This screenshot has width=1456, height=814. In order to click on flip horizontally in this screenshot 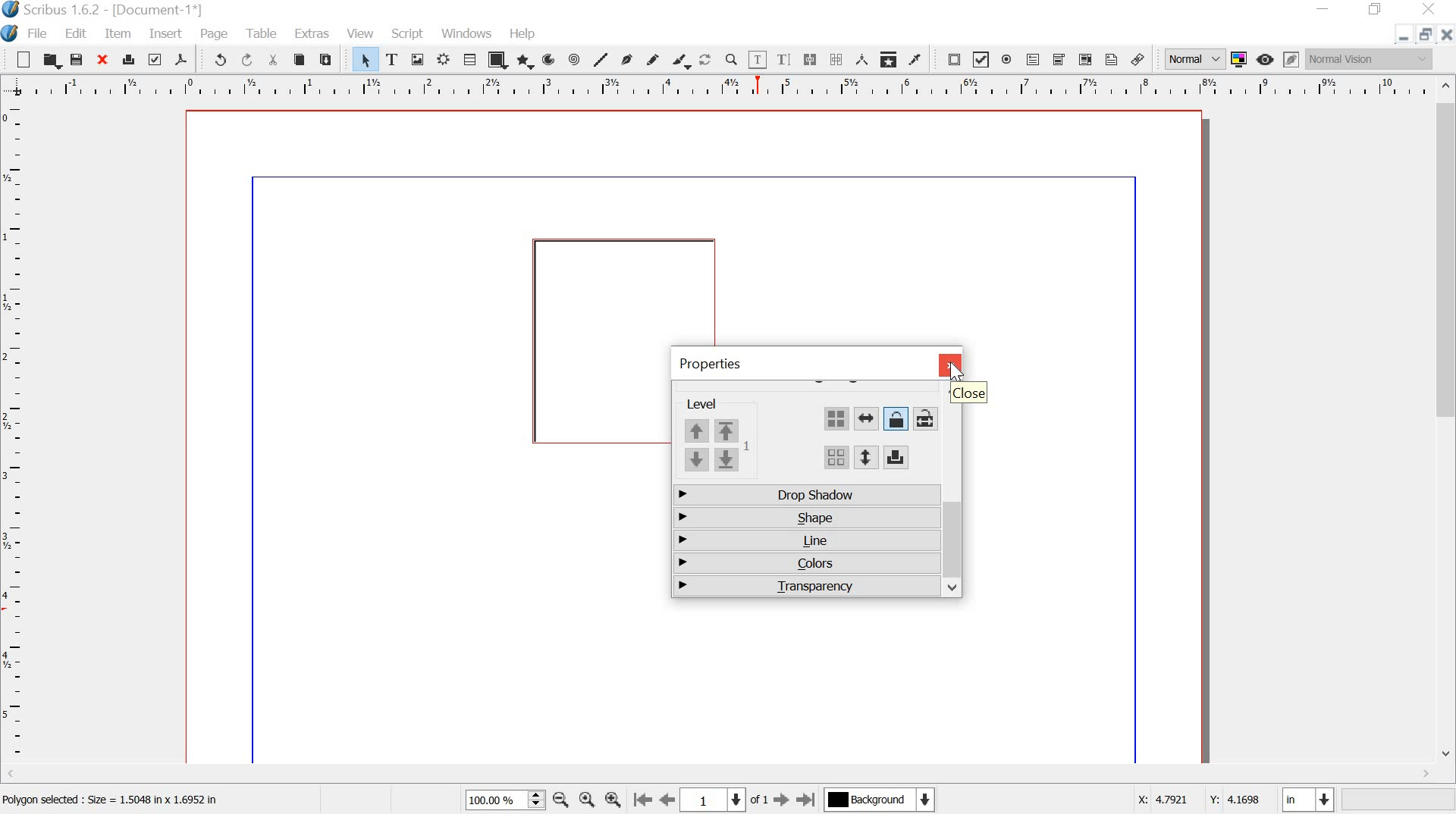, I will do `click(867, 420)`.